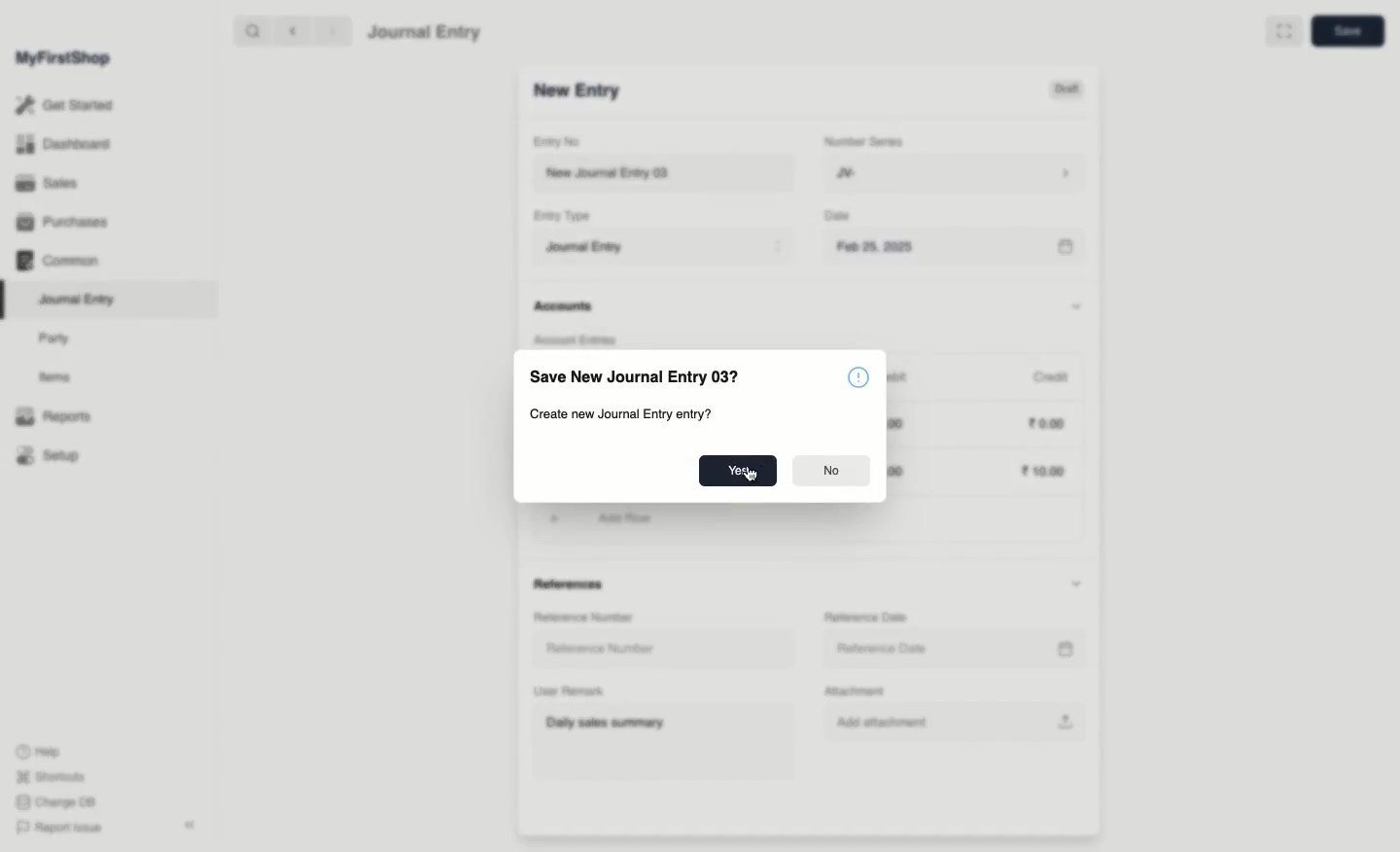 This screenshot has width=1400, height=852. What do you see at coordinates (622, 414) in the screenshot?
I see `Create new Journal Entry entry?` at bounding box center [622, 414].